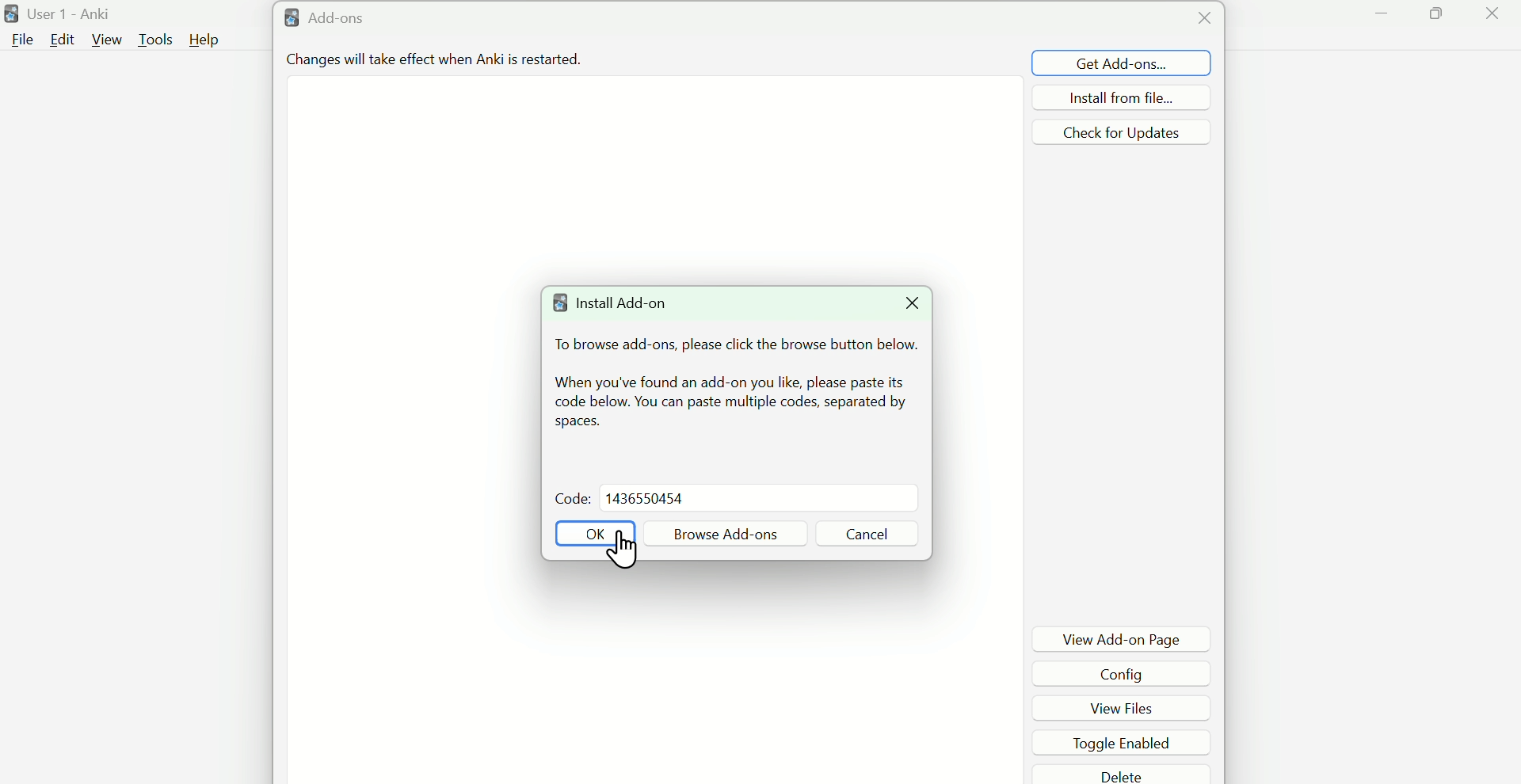  What do you see at coordinates (1122, 131) in the screenshot?
I see `check for updates` at bounding box center [1122, 131].